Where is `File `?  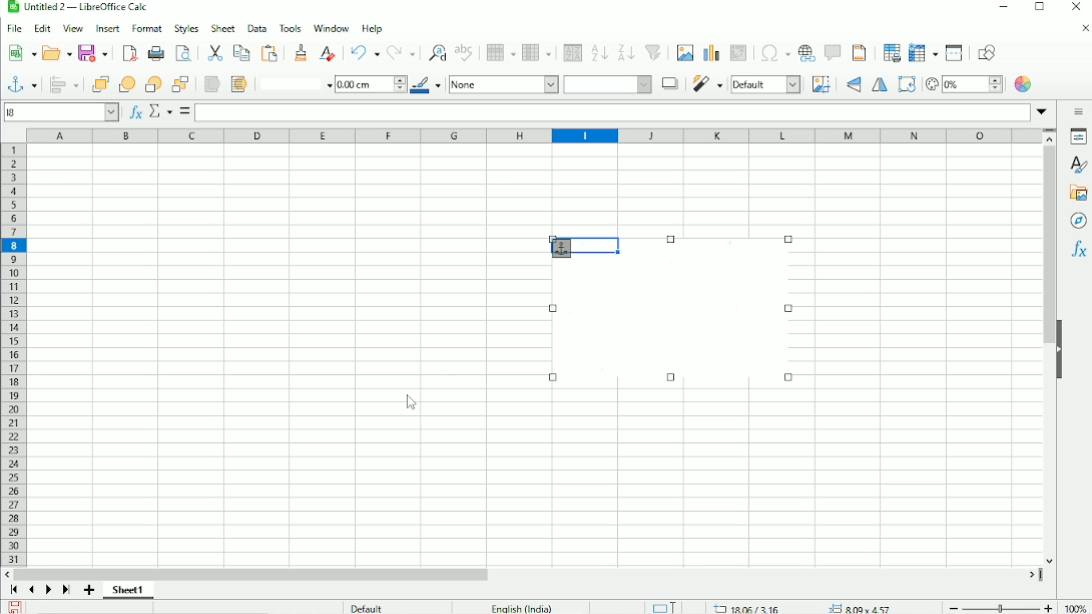
File  is located at coordinates (14, 27).